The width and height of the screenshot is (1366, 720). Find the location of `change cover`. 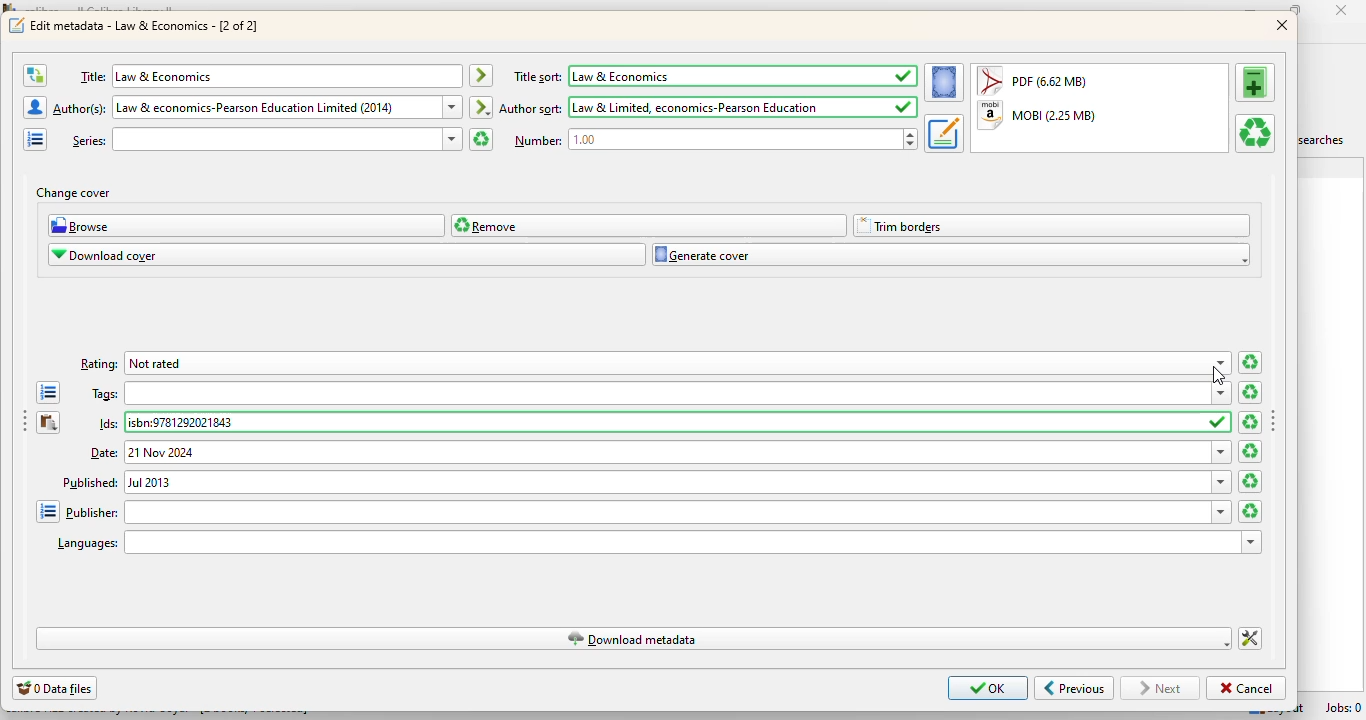

change cover is located at coordinates (73, 193).